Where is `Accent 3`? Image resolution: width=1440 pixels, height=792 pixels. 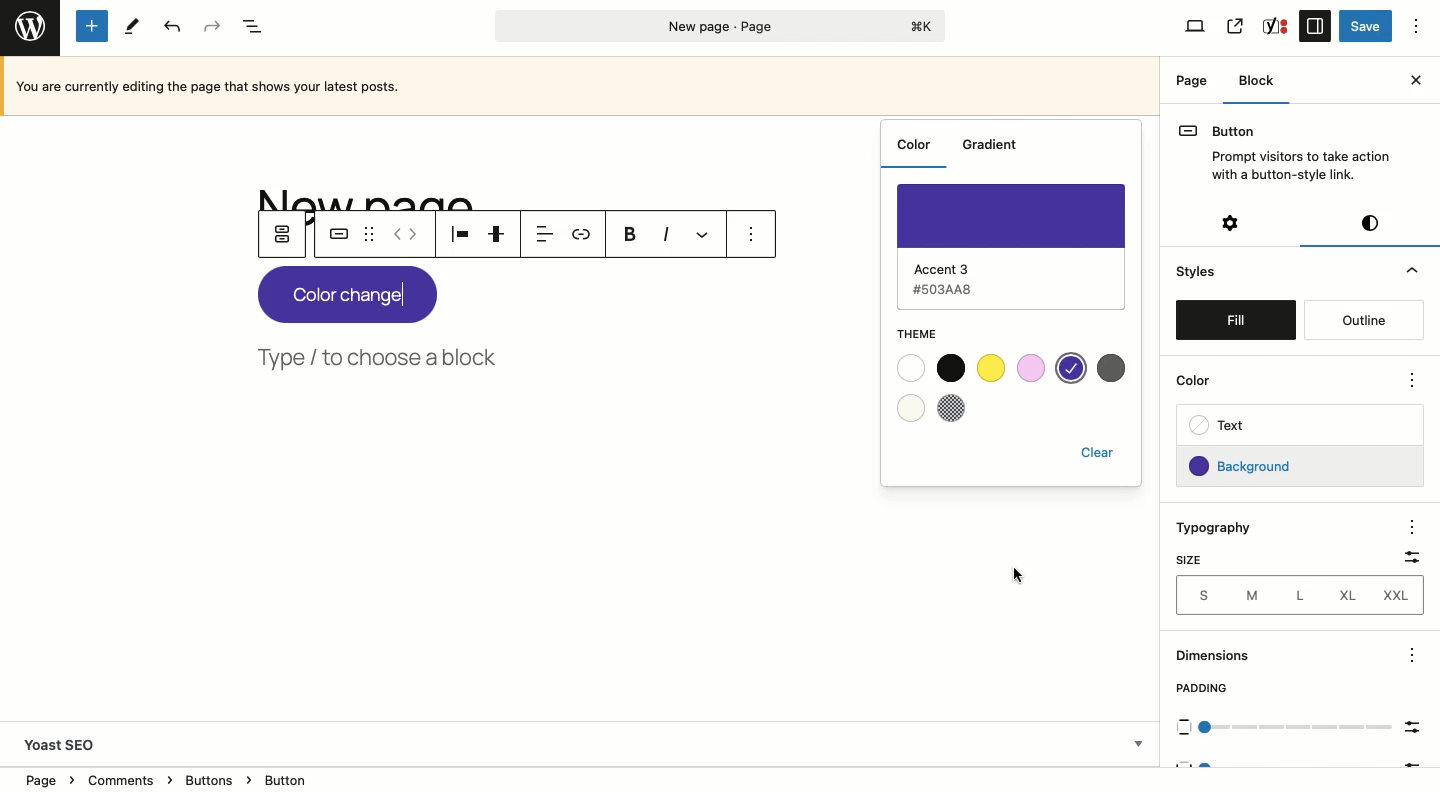 Accent 3 is located at coordinates (947, 280).